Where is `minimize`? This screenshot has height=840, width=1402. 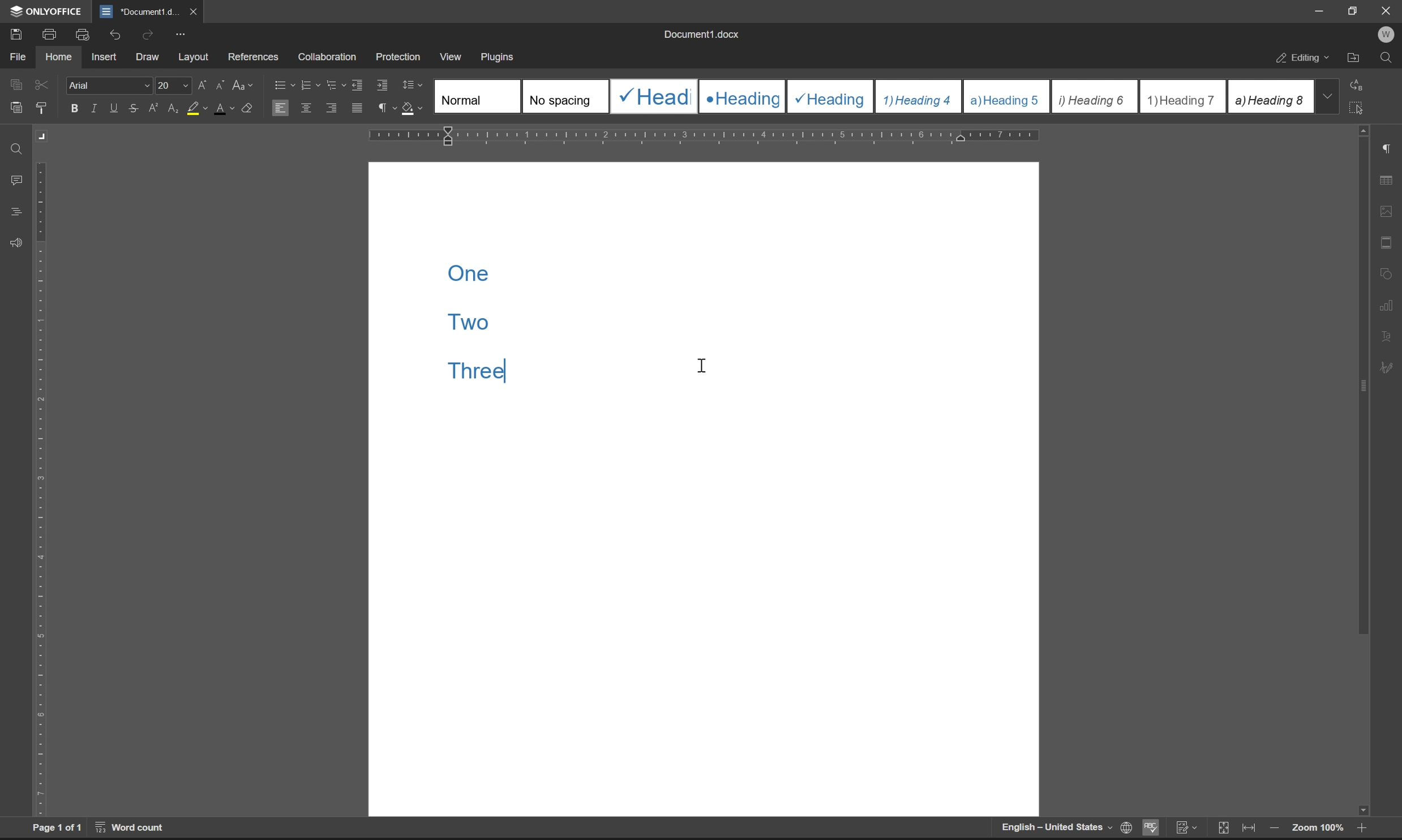 minimize is located at coordinates (1320, 11).